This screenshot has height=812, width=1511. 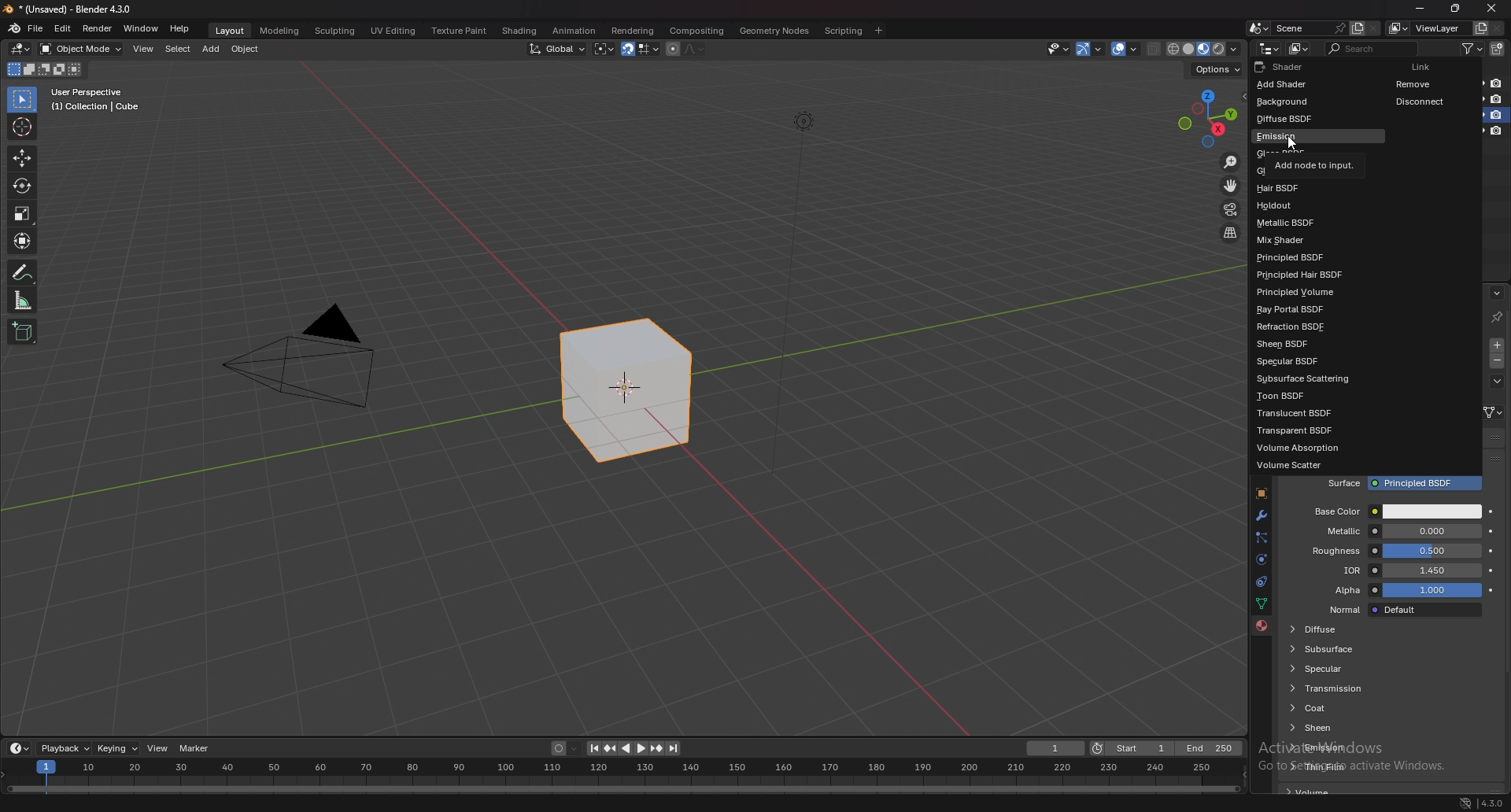 What do you see at coordinates (23, 126) in the screenshot?
I see `cursor` at bounding box center [23, 126].